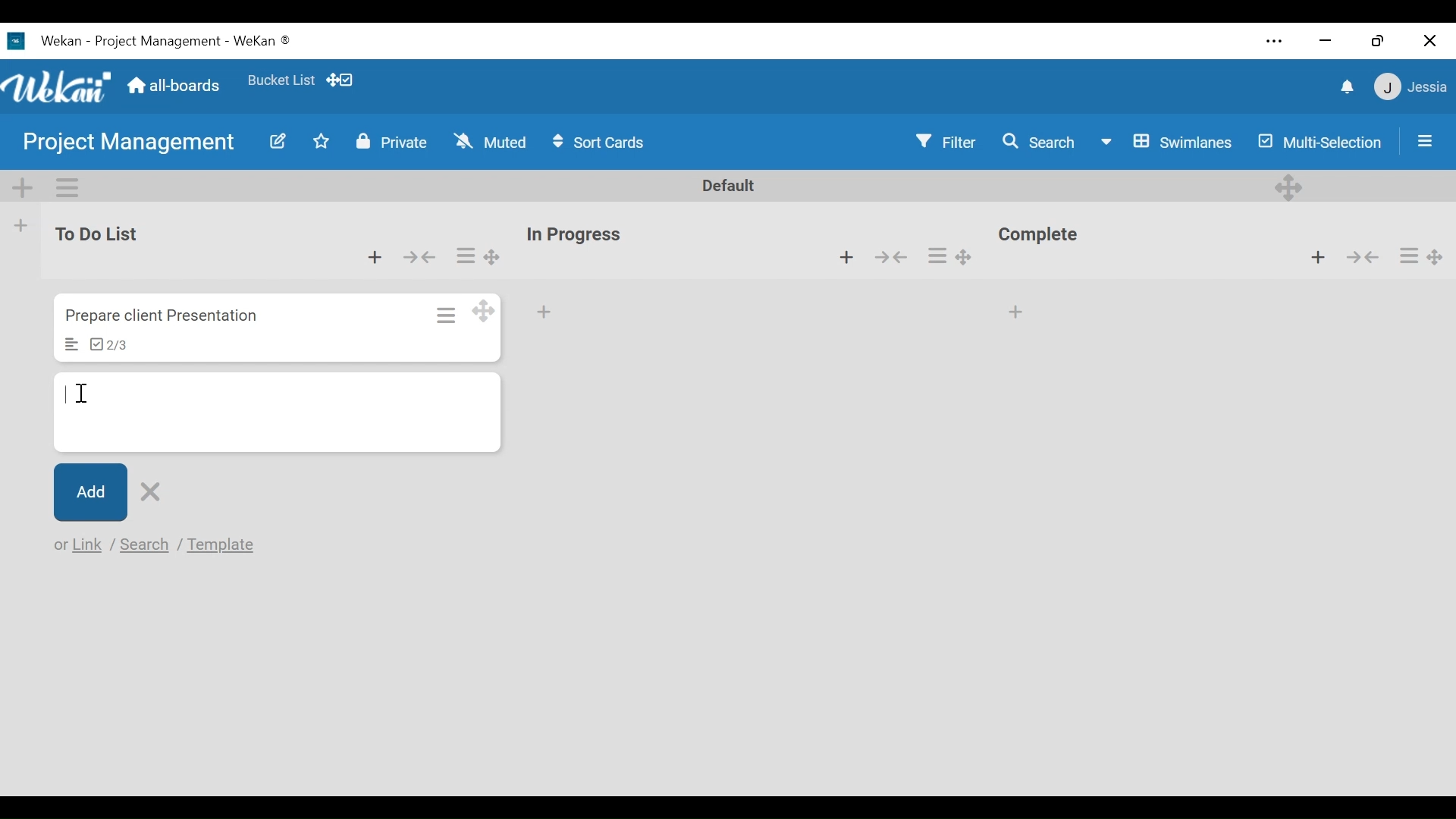 Image resolution: width=1456 pixels, height=819 pixels. I want to click on Add, so click(90, 493).